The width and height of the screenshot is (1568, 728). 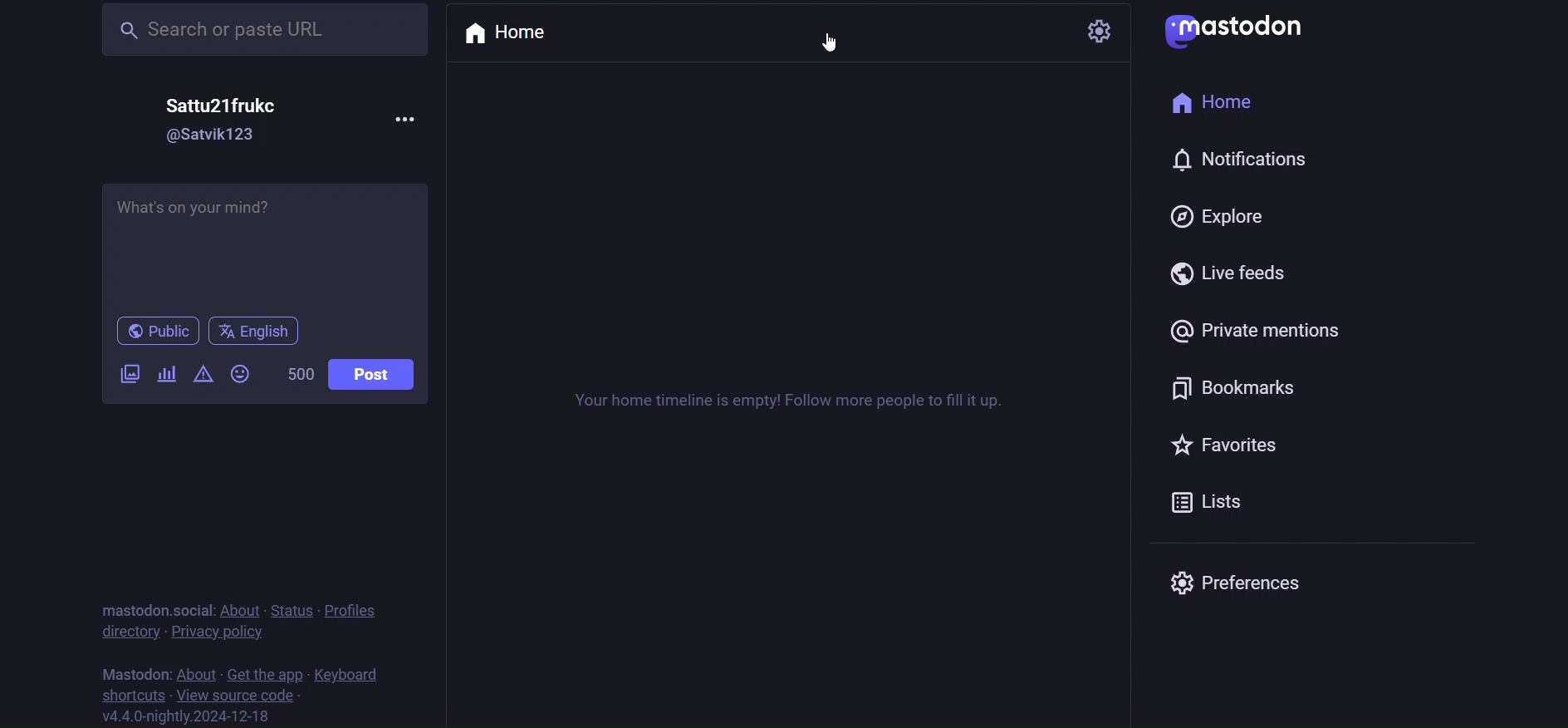 I want to click on list, so click(x=1224, y=501).